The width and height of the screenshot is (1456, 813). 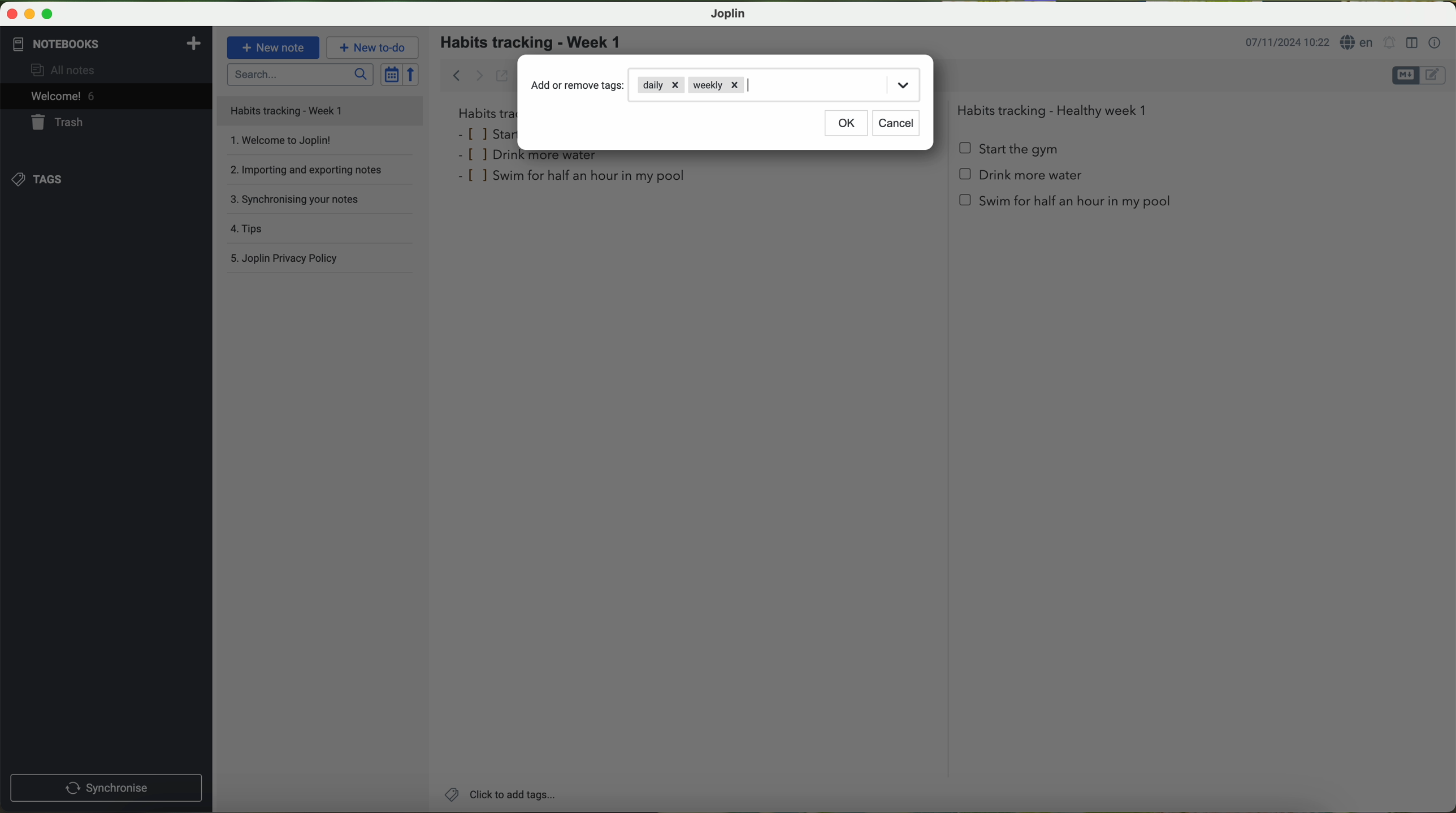 What do you see at coordinates (498, 793) in the screenshot?
I see `click on add tags` at bounding box center [498, 793].